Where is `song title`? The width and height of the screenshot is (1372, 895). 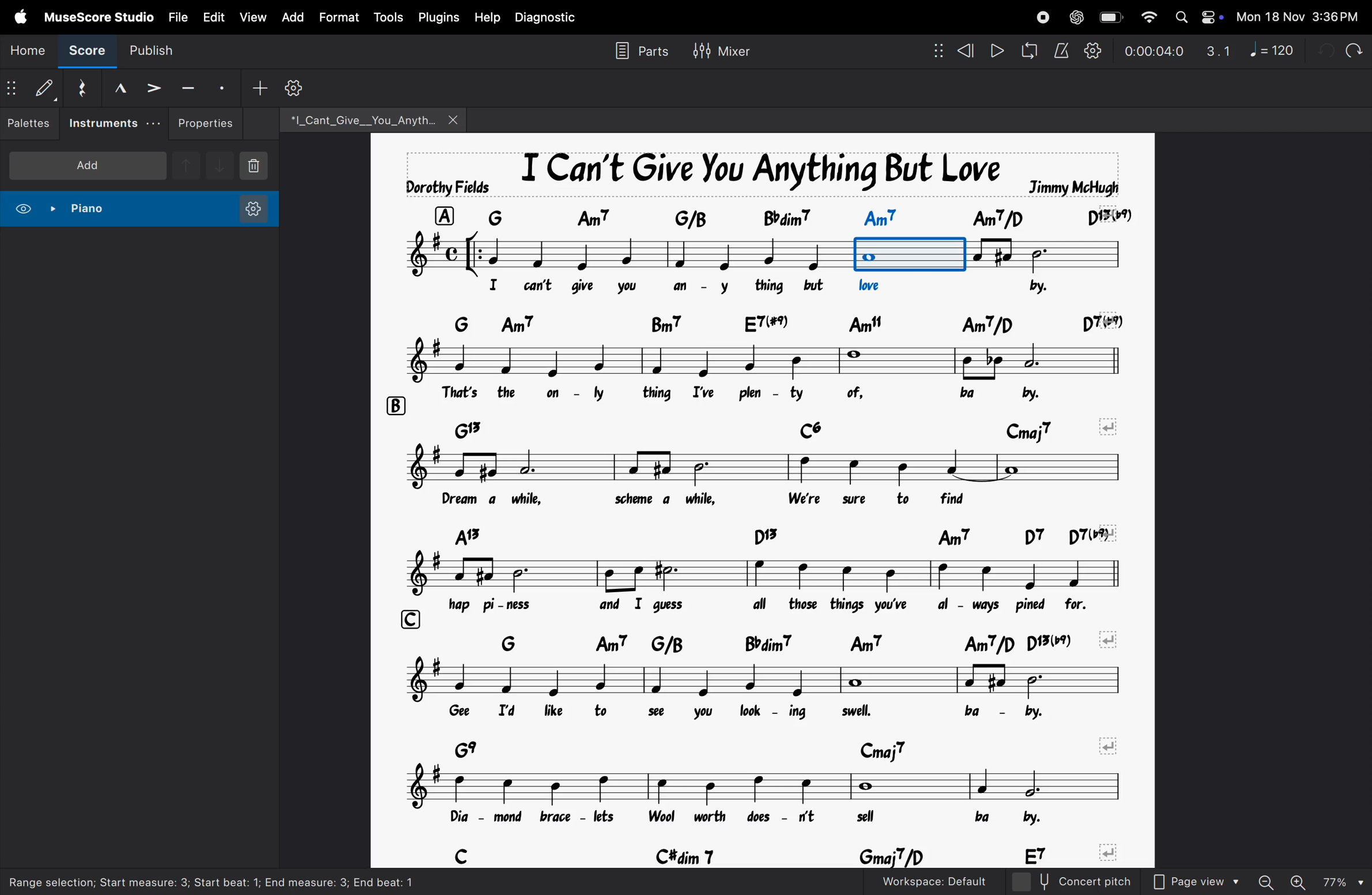
song title is located at coordinates (753, 174).